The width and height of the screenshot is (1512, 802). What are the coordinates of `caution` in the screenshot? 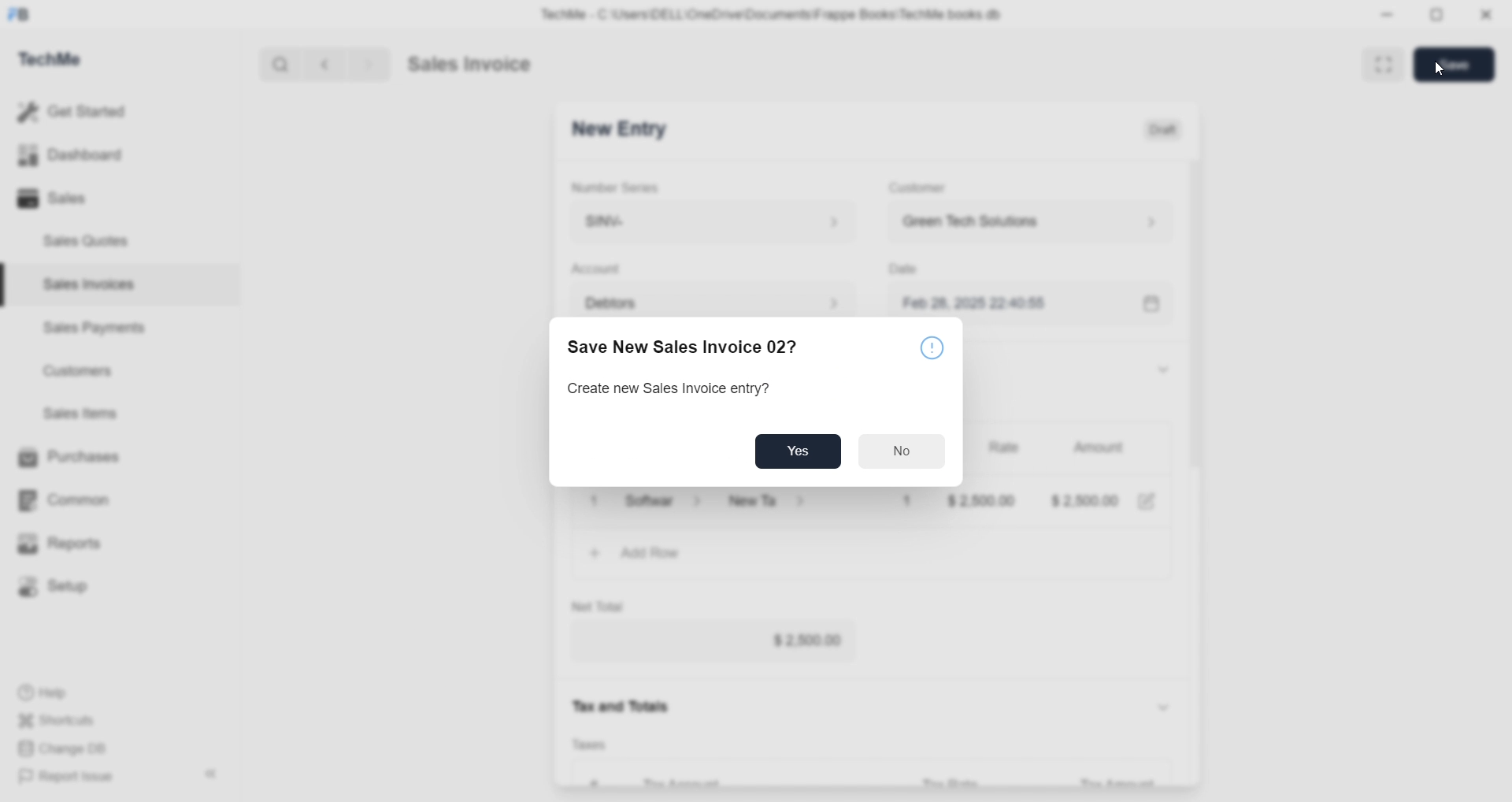 It's located at (933, 347).